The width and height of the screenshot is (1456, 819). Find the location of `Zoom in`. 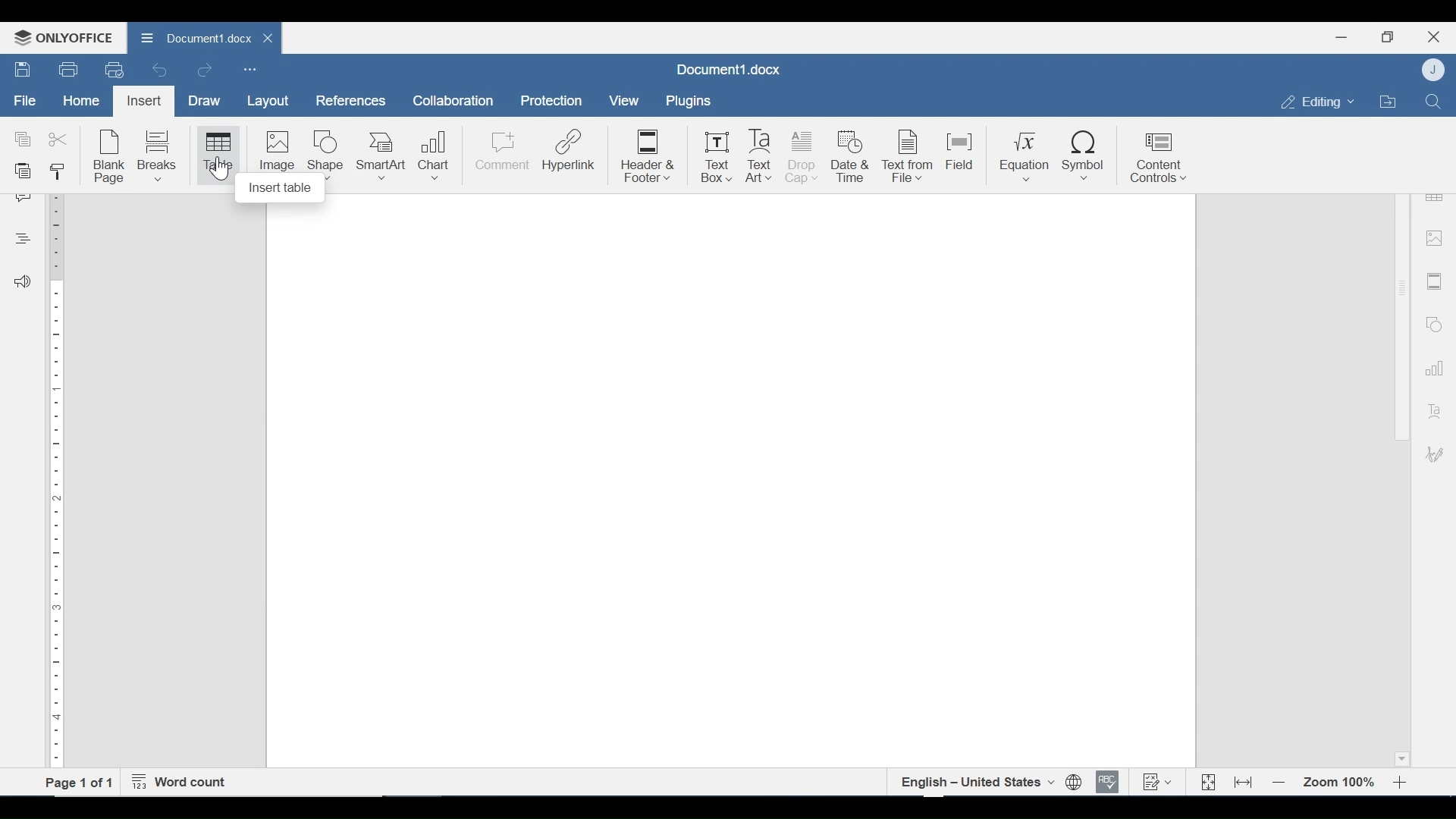

Zoom in is located at coordinates (1403, 783).